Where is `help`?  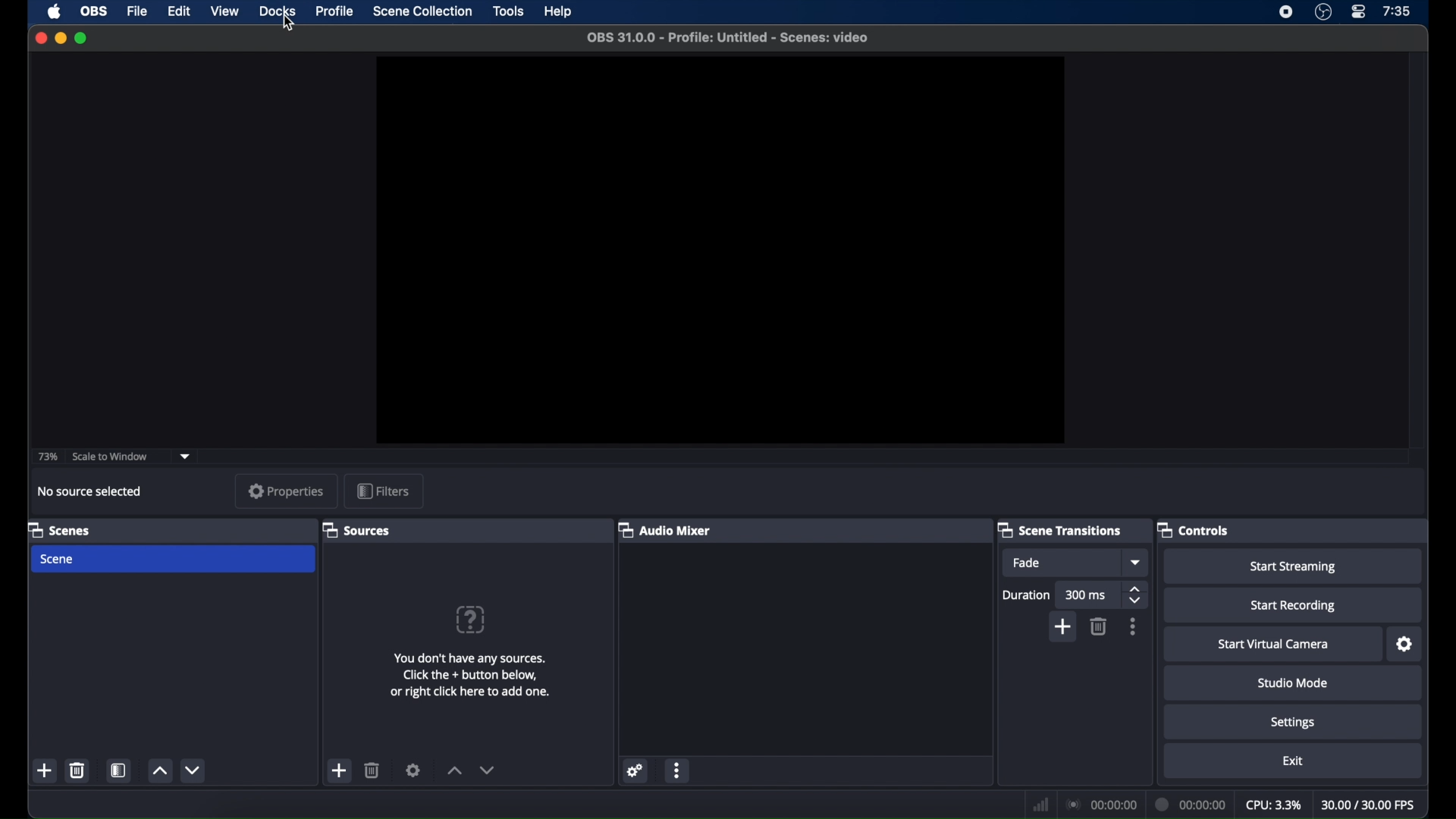 help is located at coordinates (560, 12).